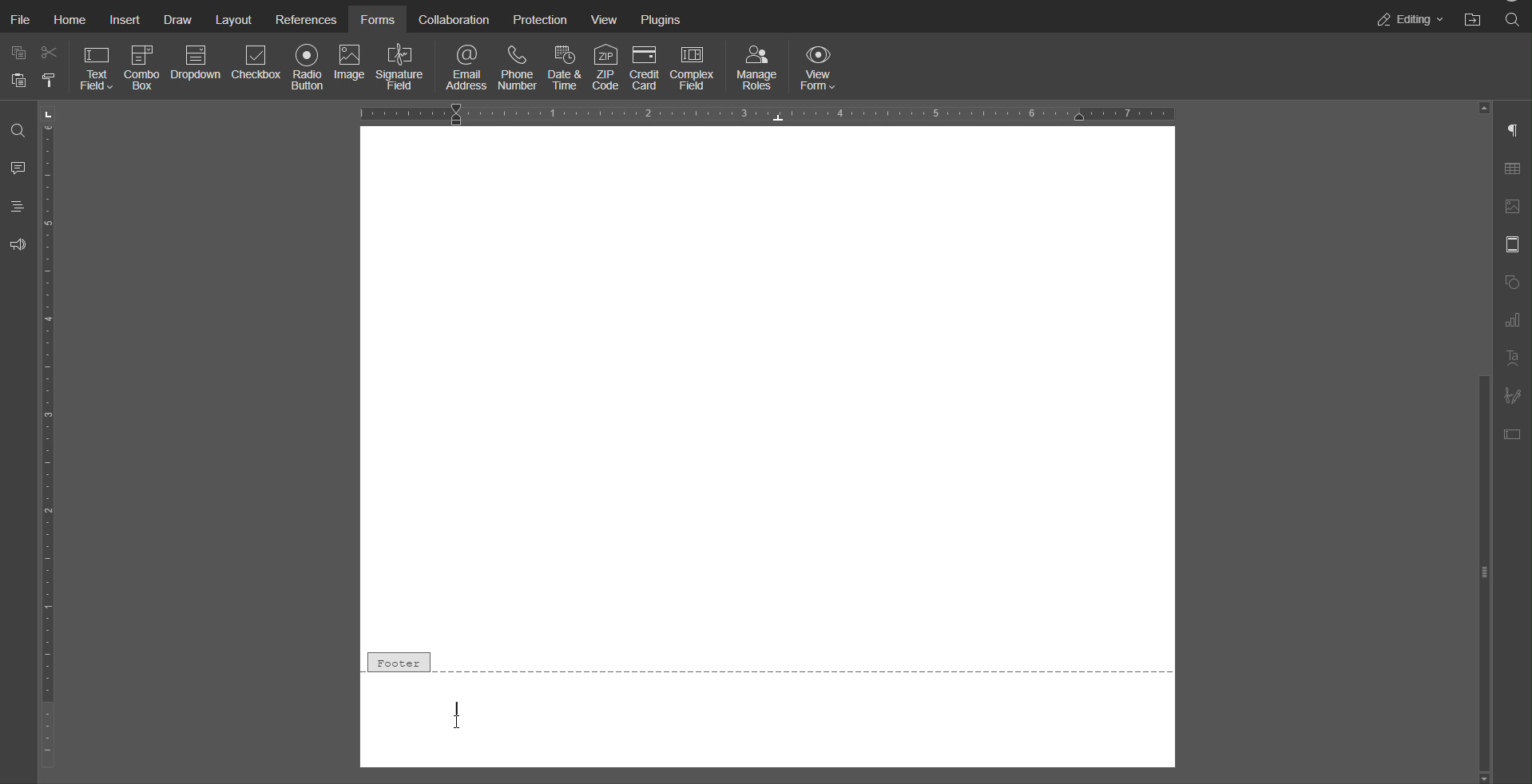 This screenshot has height=784, width=1532. Describe the element at coordinates (13, 133) in the screenshot. I see `Search` at that location.